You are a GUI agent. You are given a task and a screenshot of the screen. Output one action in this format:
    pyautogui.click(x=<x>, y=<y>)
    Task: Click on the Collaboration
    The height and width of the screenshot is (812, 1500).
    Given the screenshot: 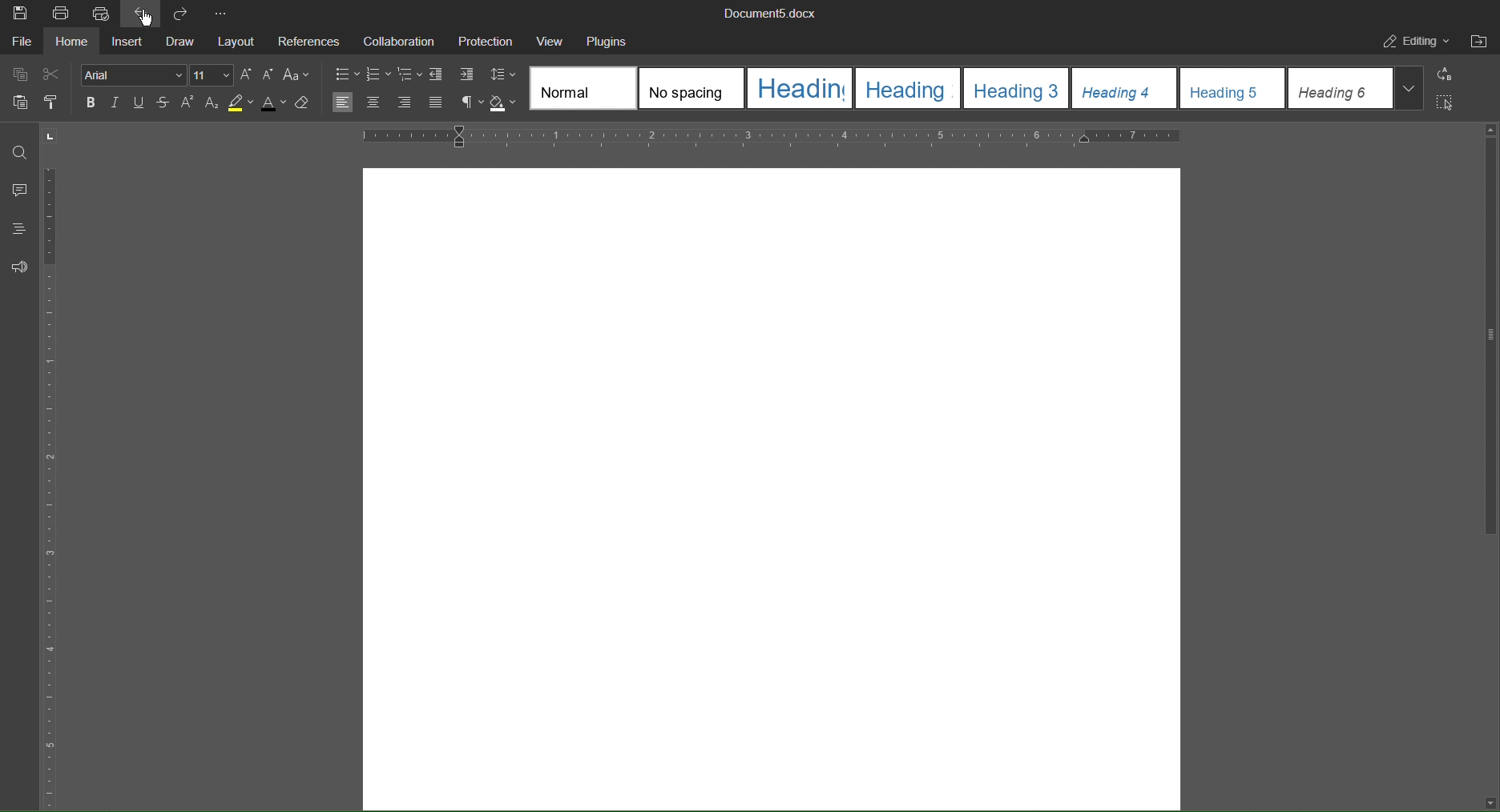 What is the action you would take?
    pyautogui.click(x=401, y=41)
    